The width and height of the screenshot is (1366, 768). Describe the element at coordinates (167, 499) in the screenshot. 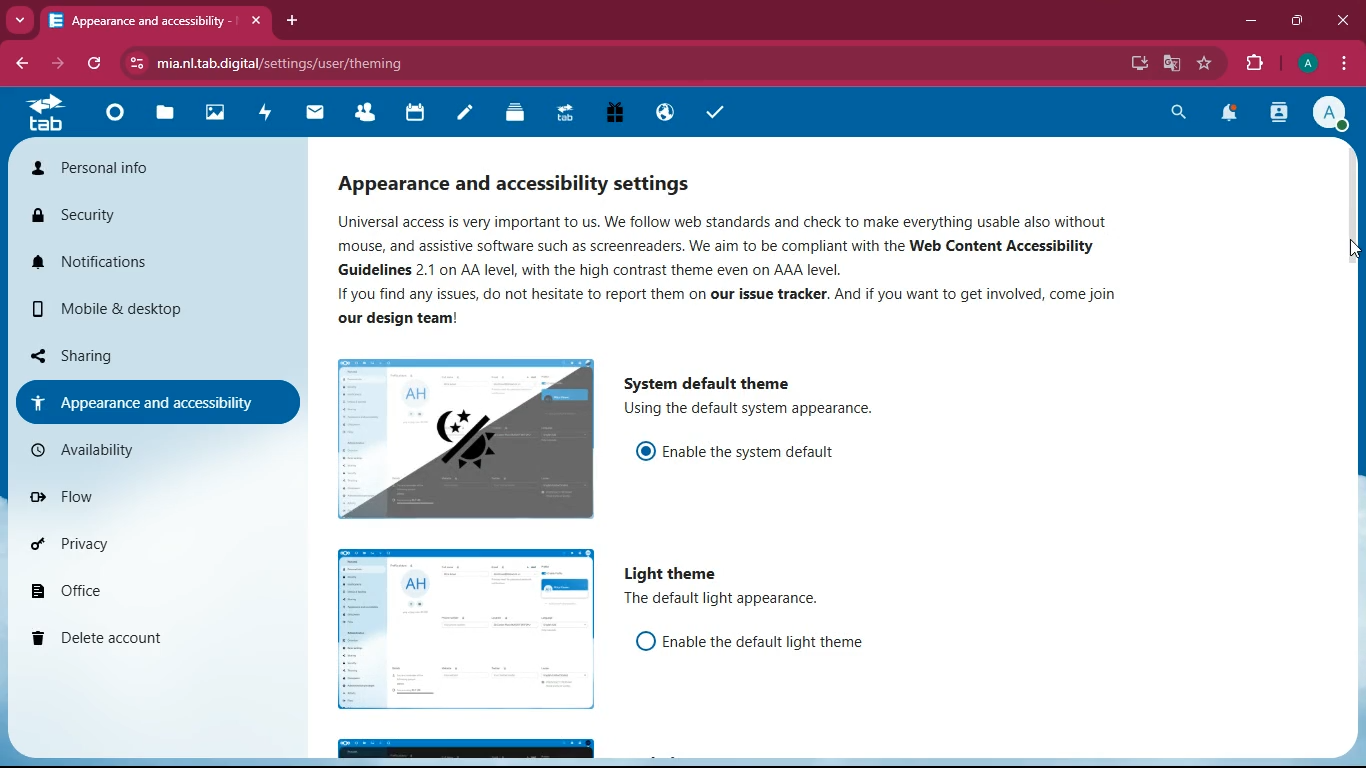

I see `flow` at that location.